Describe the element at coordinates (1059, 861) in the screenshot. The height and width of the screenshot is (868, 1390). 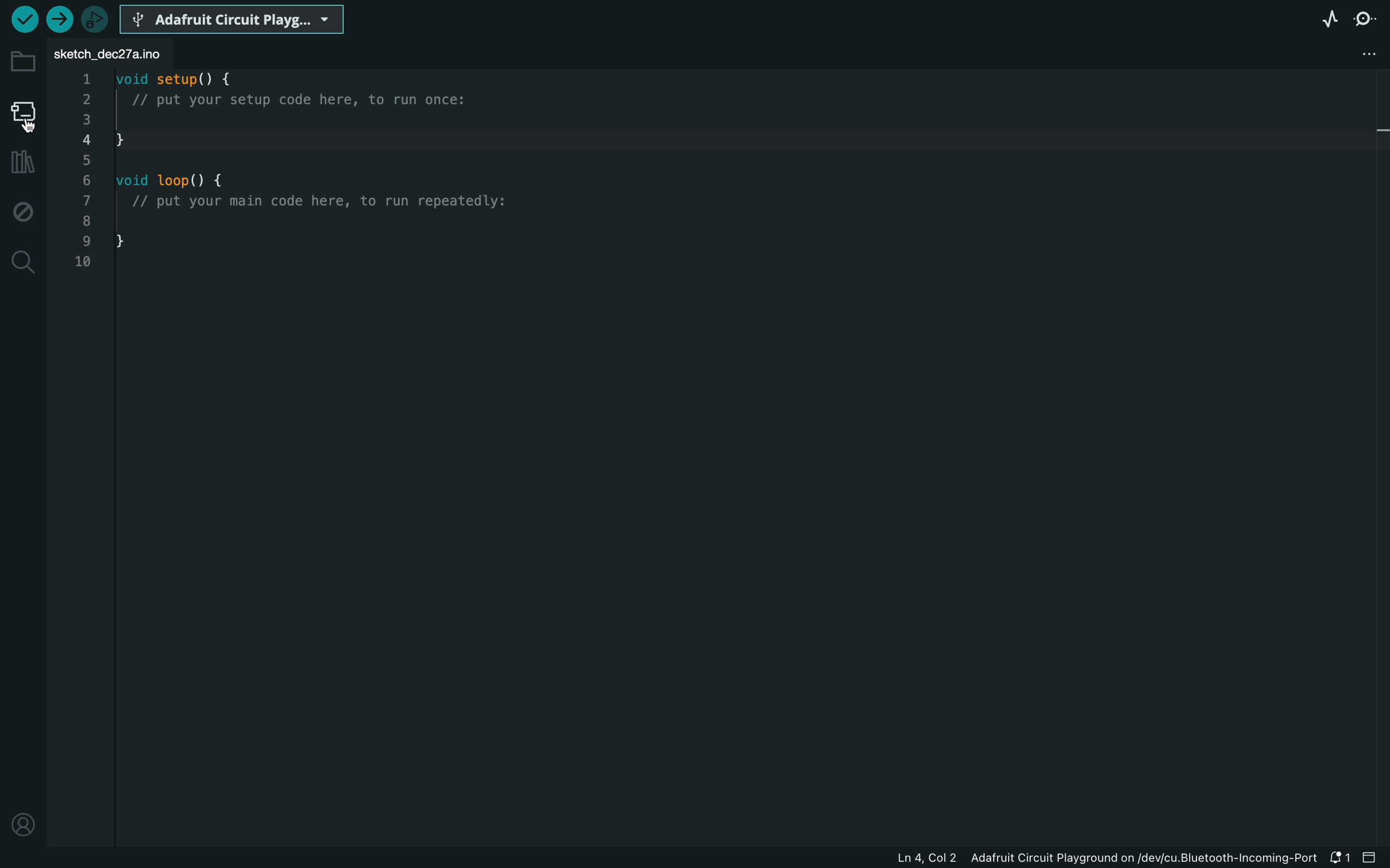
I see `file information` at that location.